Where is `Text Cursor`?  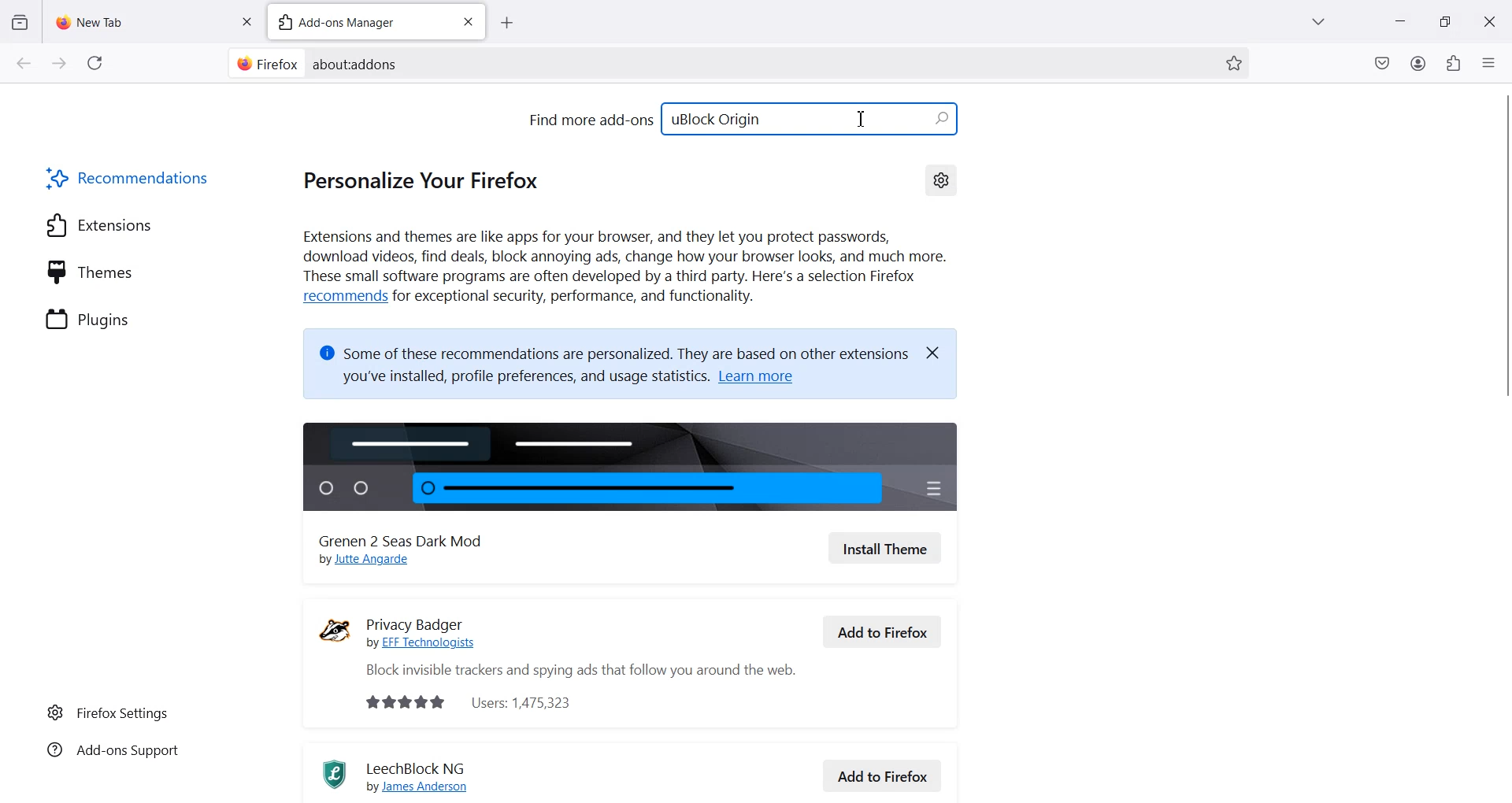 Text Cursor is located at coordinates (863, 119).